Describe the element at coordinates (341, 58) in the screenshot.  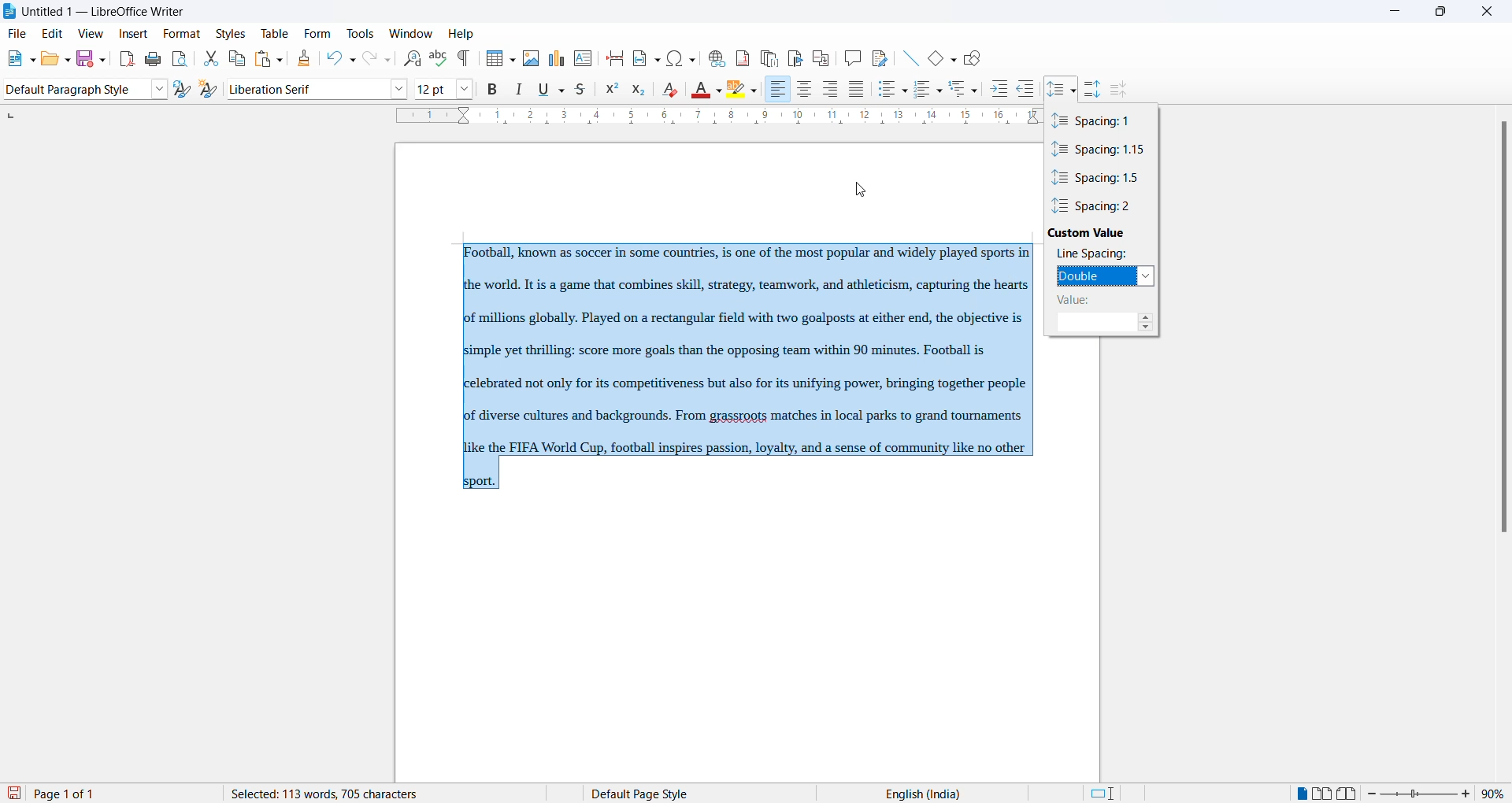
I see `undo` at that location.